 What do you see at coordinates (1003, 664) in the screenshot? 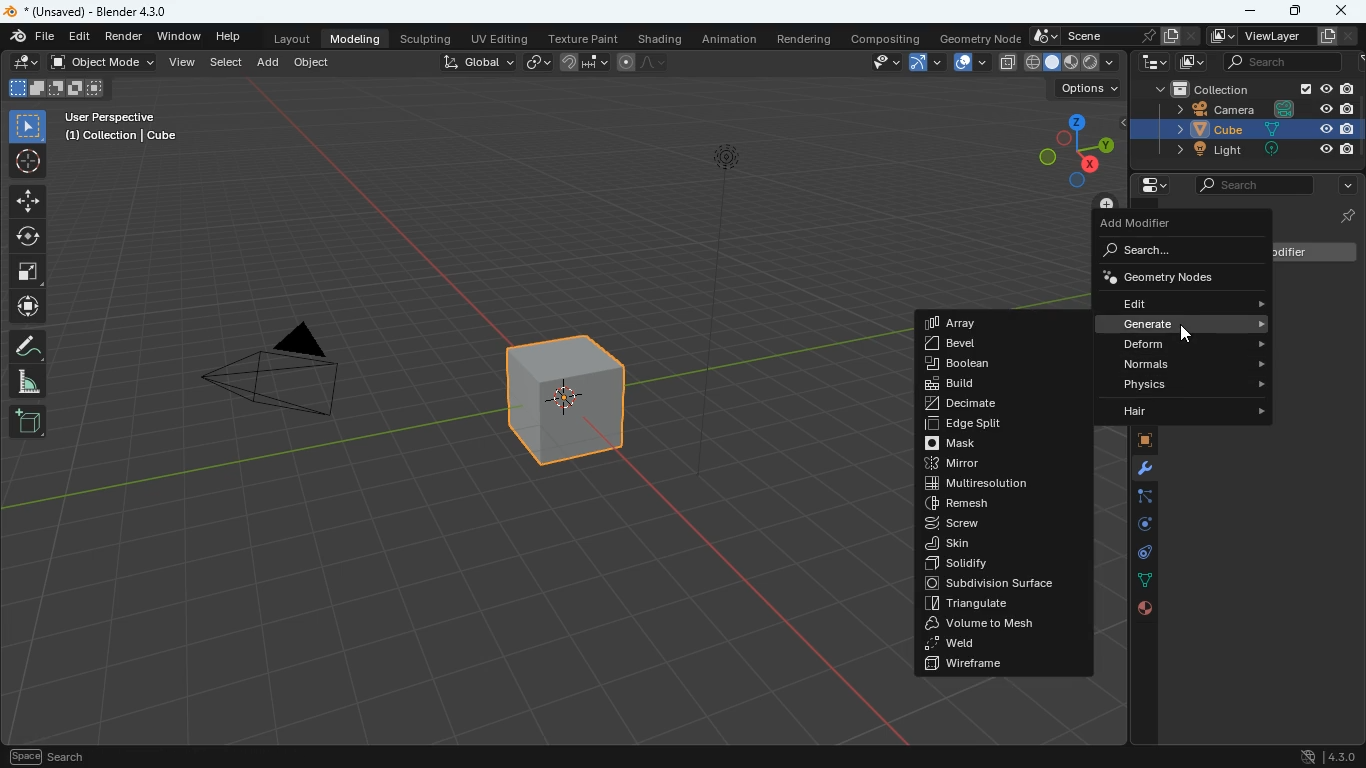
I see `wireframe` at bounding box center [1003, 664].